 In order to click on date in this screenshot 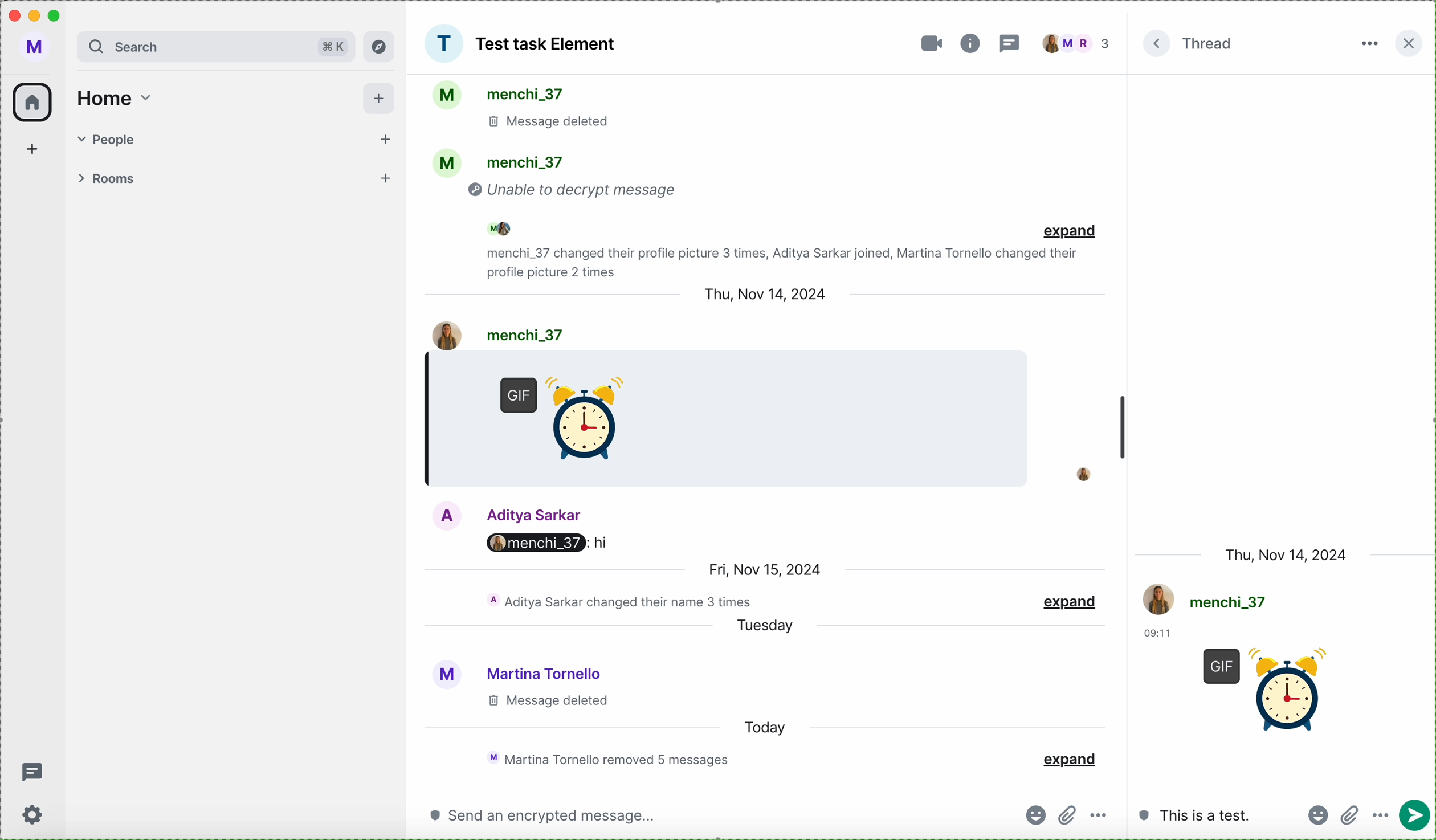, I will do `click(1288, 554)`.